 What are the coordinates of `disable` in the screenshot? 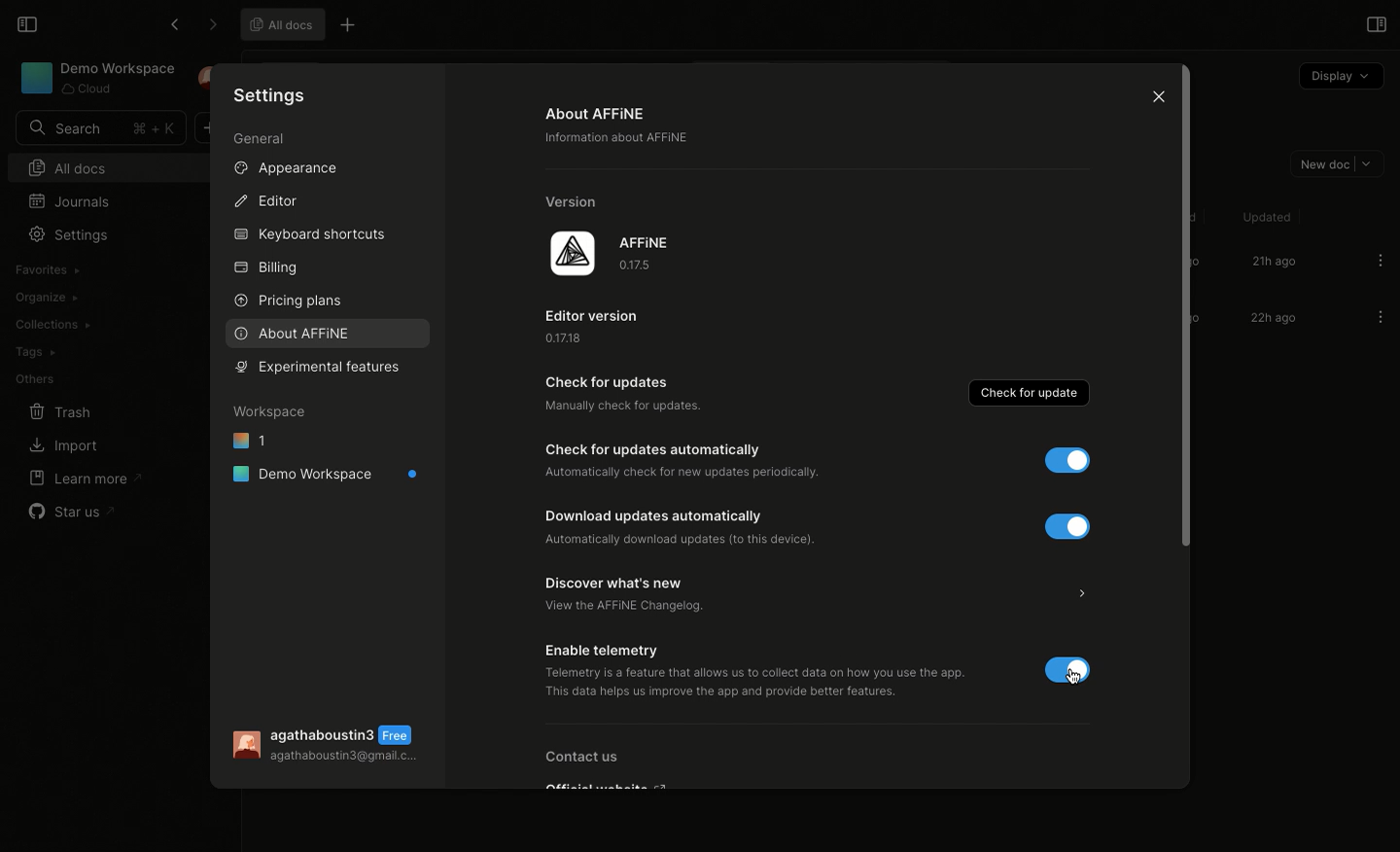 It's located at (1062, 527).